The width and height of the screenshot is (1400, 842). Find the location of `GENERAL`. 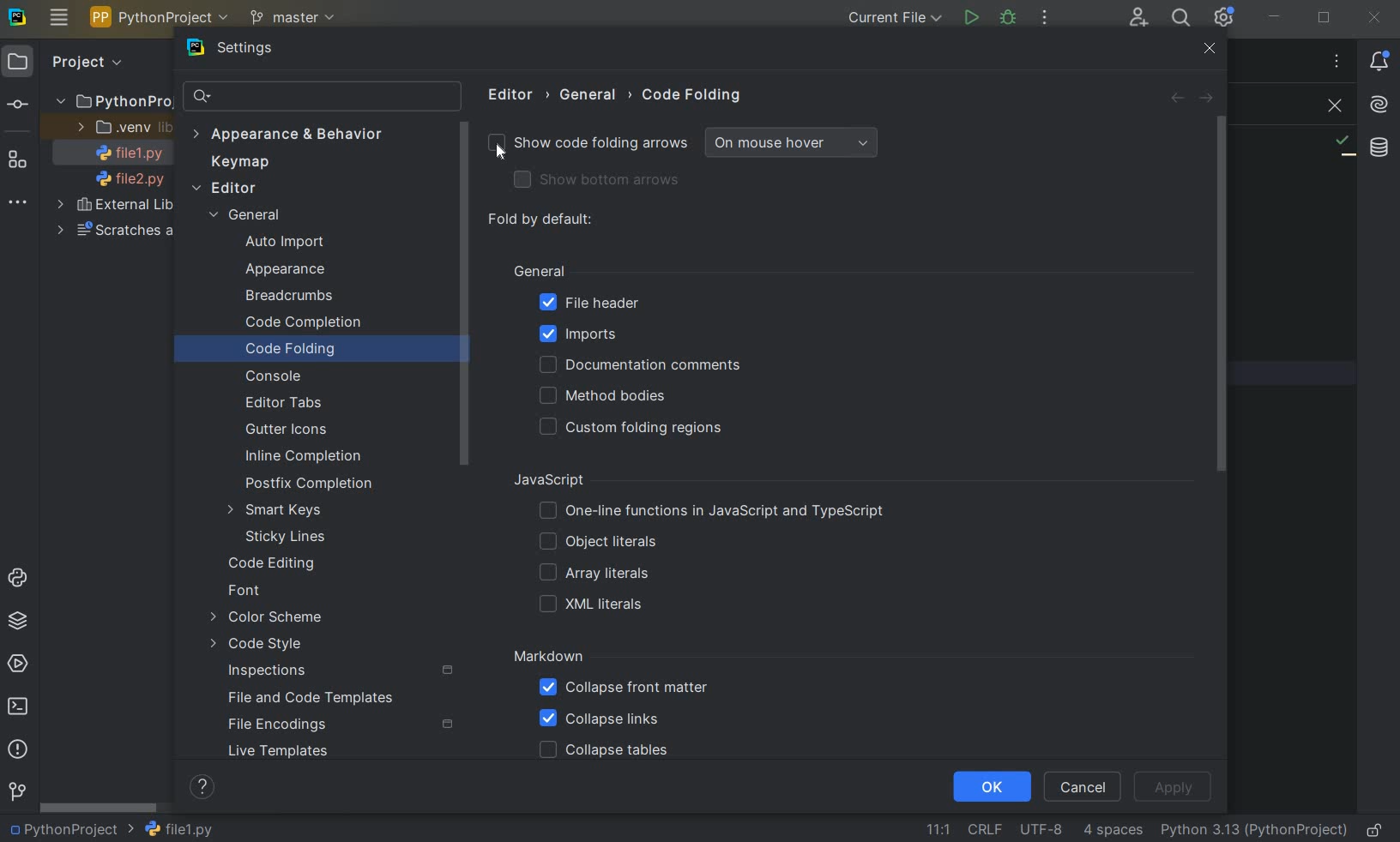

GENERAL is located at coordinates (539, 269).